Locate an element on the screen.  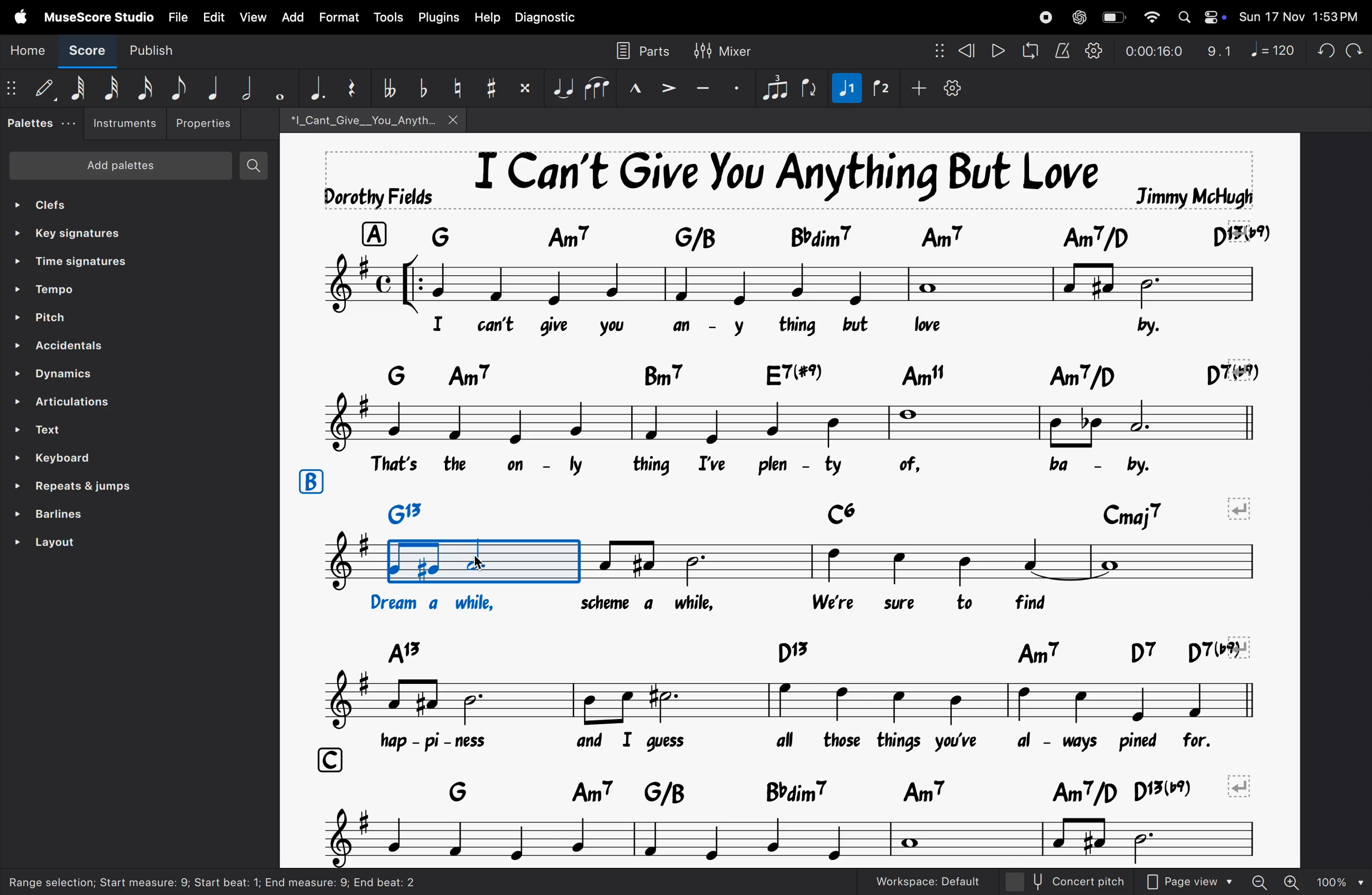
tie is located at coordinates (562, 88).